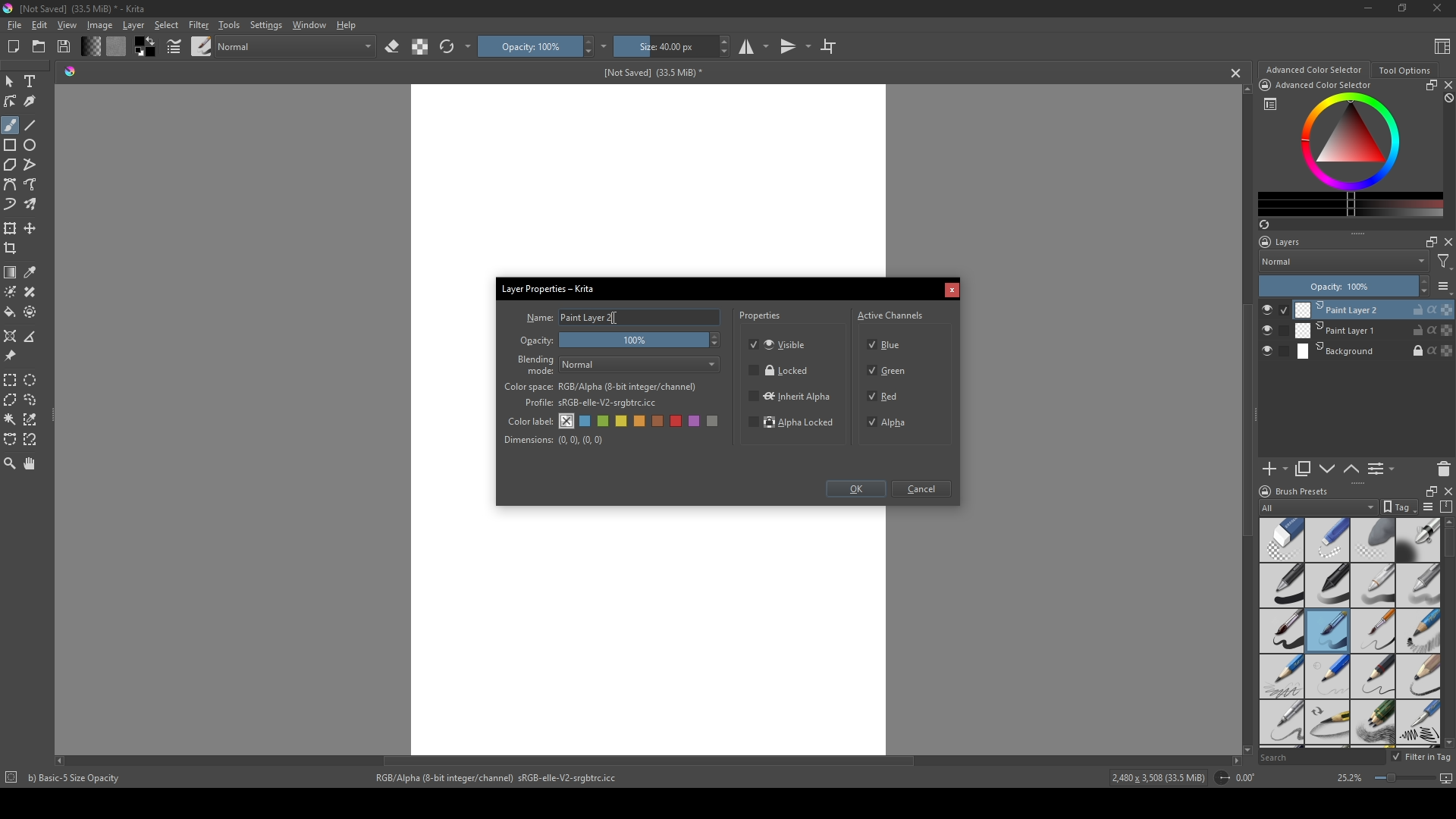 The image size is (1456, 819). I want to click on pencil, so click(1280, 676).